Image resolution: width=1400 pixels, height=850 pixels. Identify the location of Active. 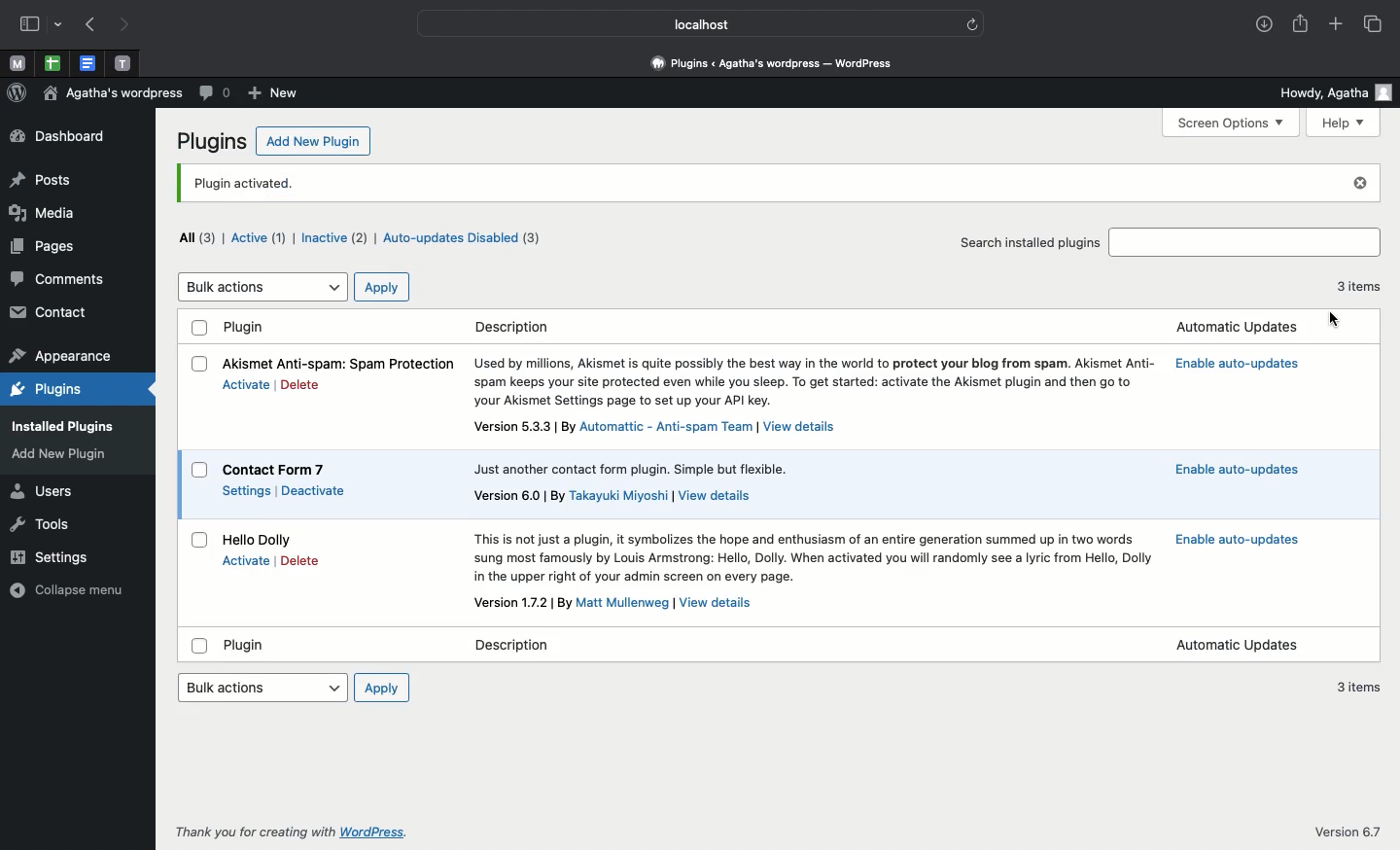
(261, 237).